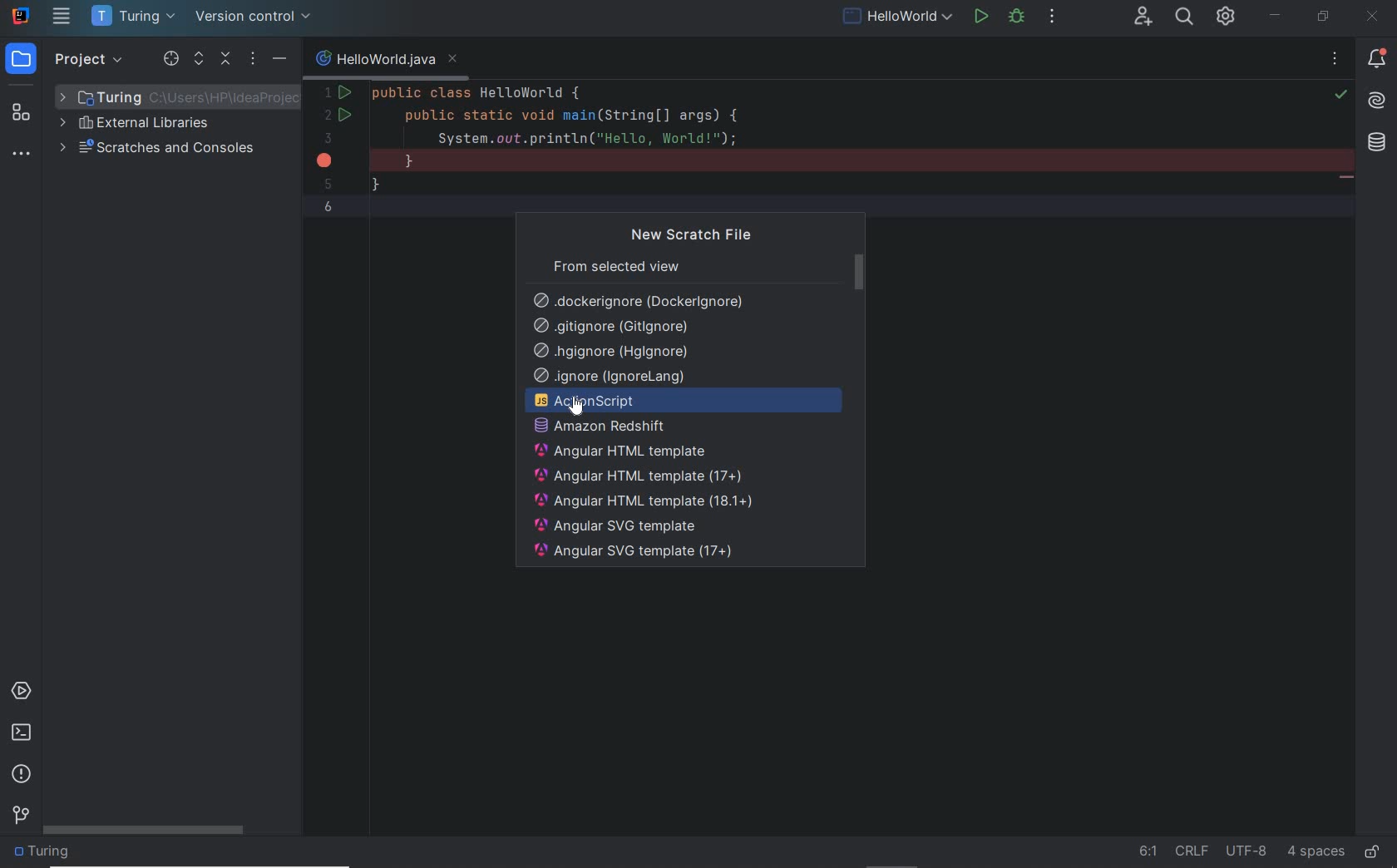  What do you see at coordinates (453, 60) in the screenshot?
I see `close tab` at bounding box center [453, 60].